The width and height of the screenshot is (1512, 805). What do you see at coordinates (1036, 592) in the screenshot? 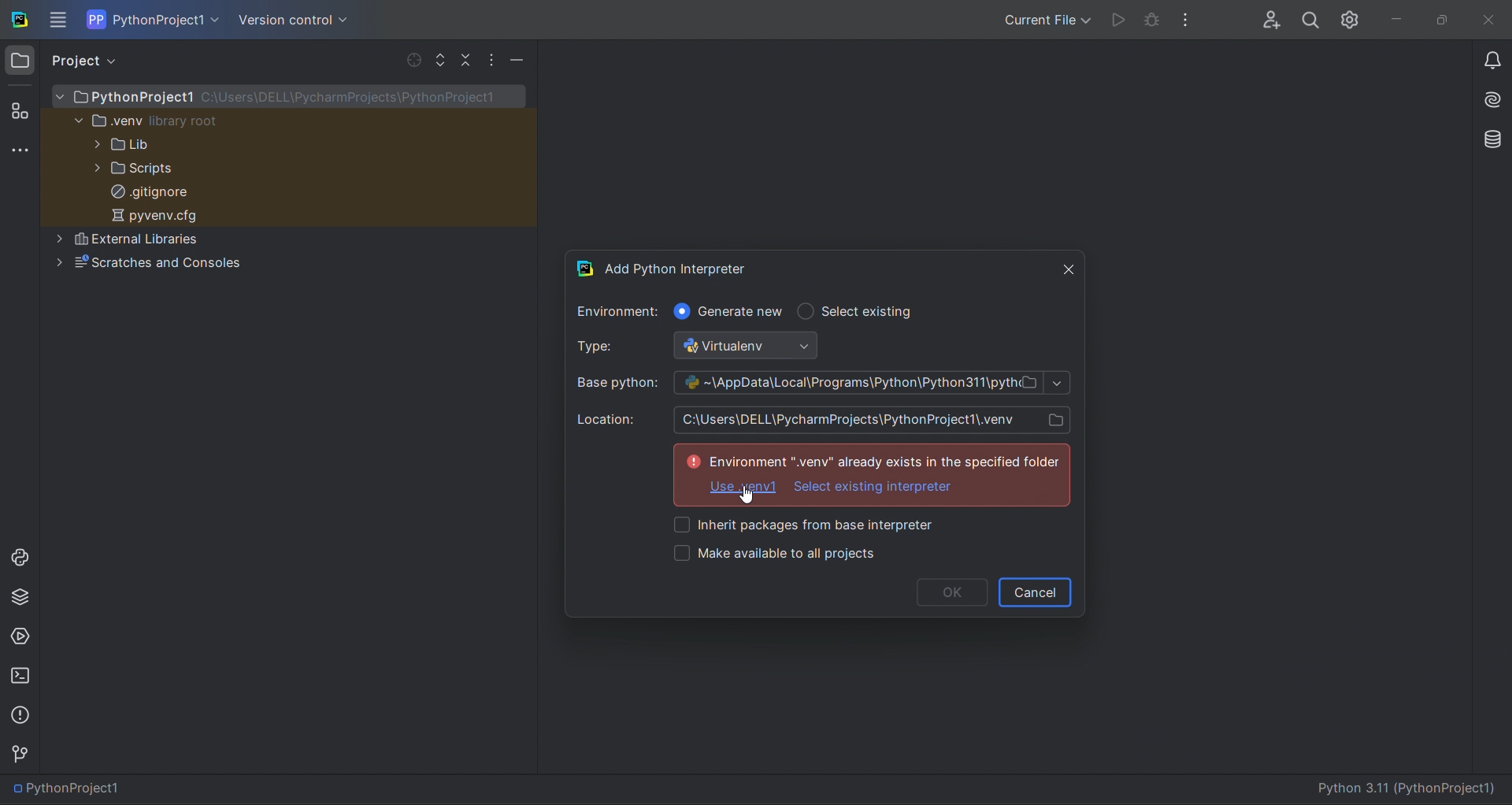
I see `cancel` at bounding box center [1036, 592].